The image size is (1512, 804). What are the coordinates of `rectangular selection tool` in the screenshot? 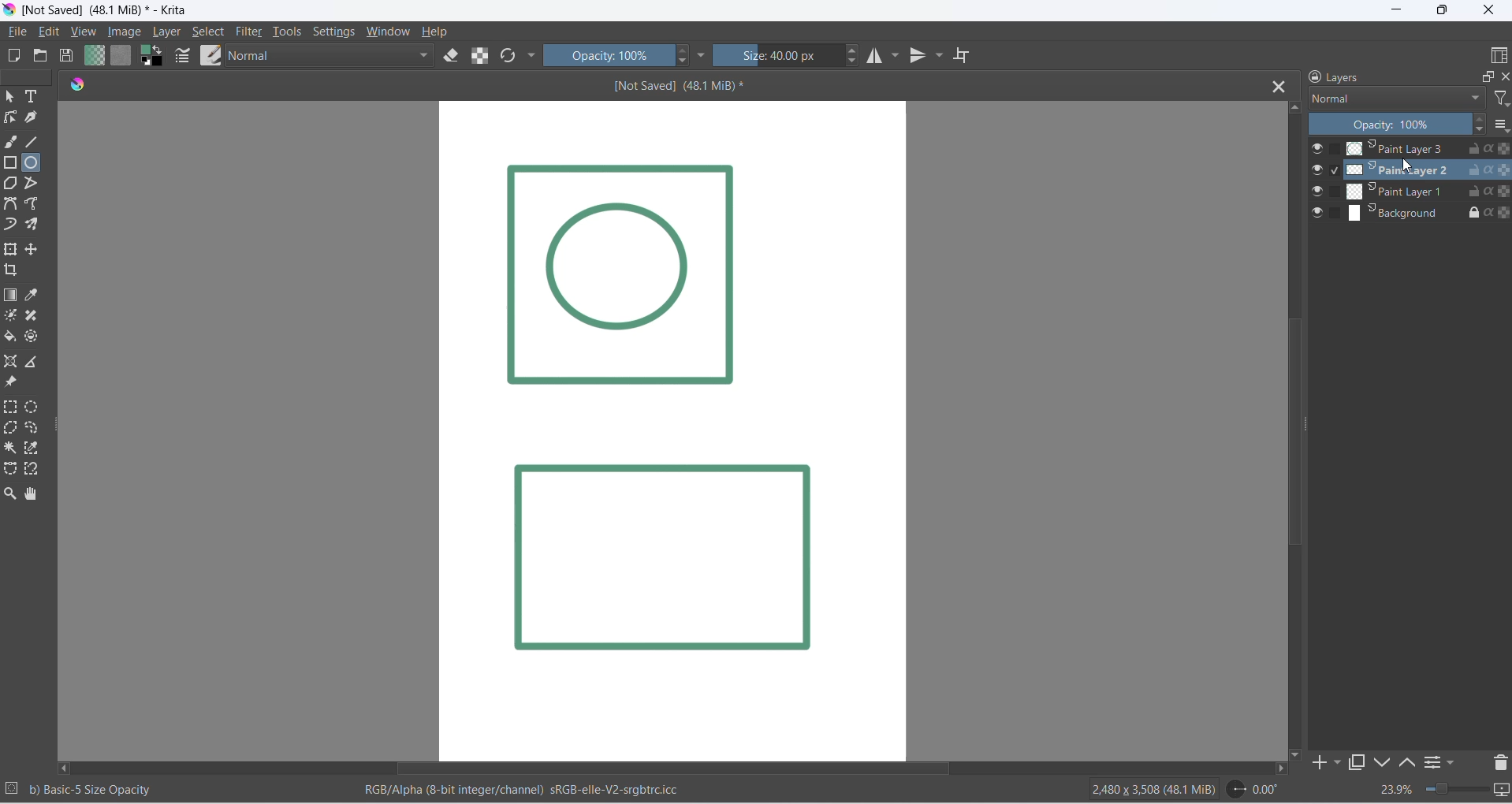 It's located at (10, 408).